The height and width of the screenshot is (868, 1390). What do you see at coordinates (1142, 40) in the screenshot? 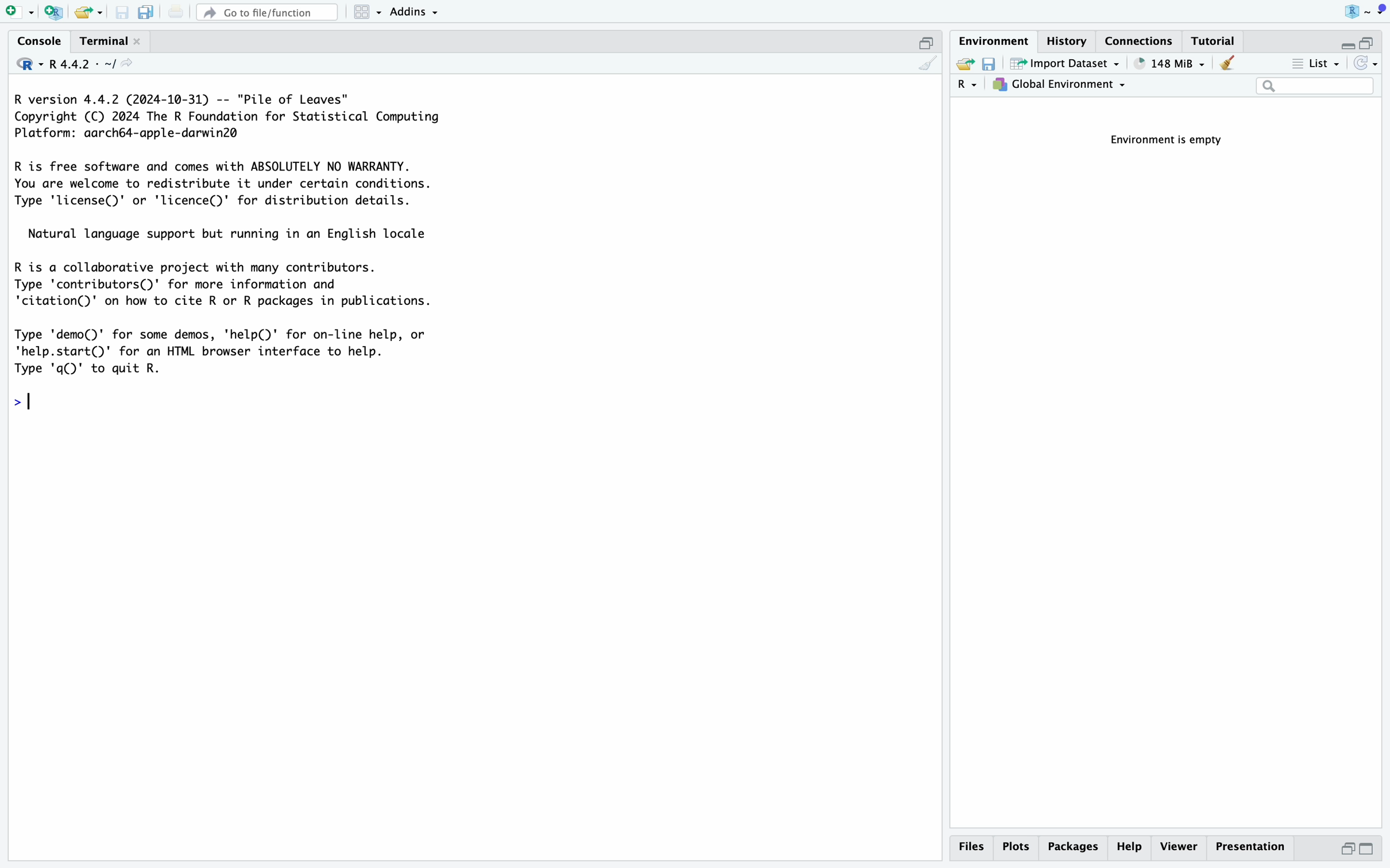
I see `connections` at bounding box center [1142, 40].